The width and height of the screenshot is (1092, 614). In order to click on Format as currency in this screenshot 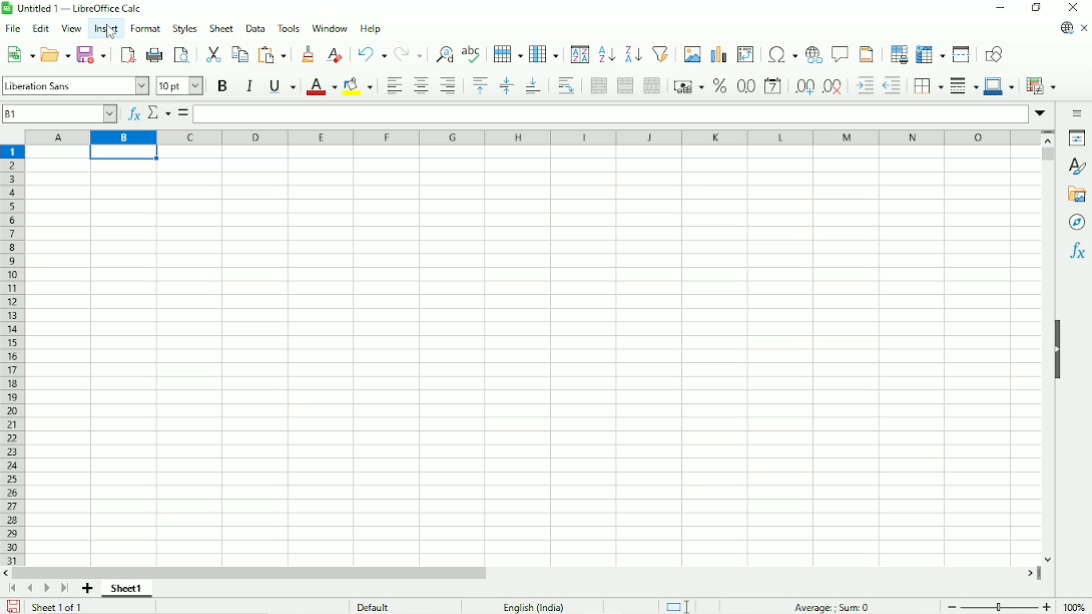, I will do `click(688, 86)`.